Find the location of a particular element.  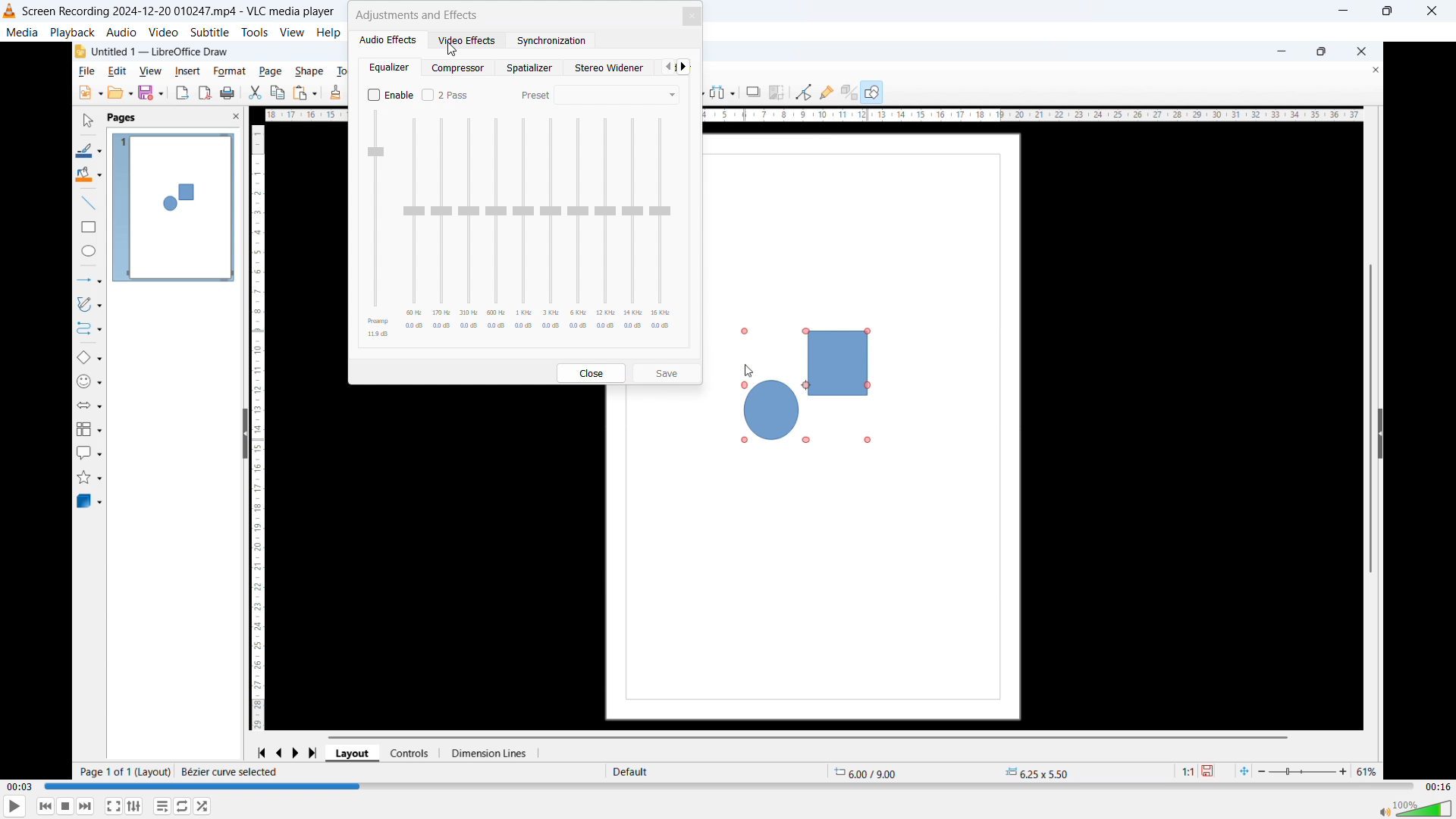

playback is located at coordinates (72, 32).